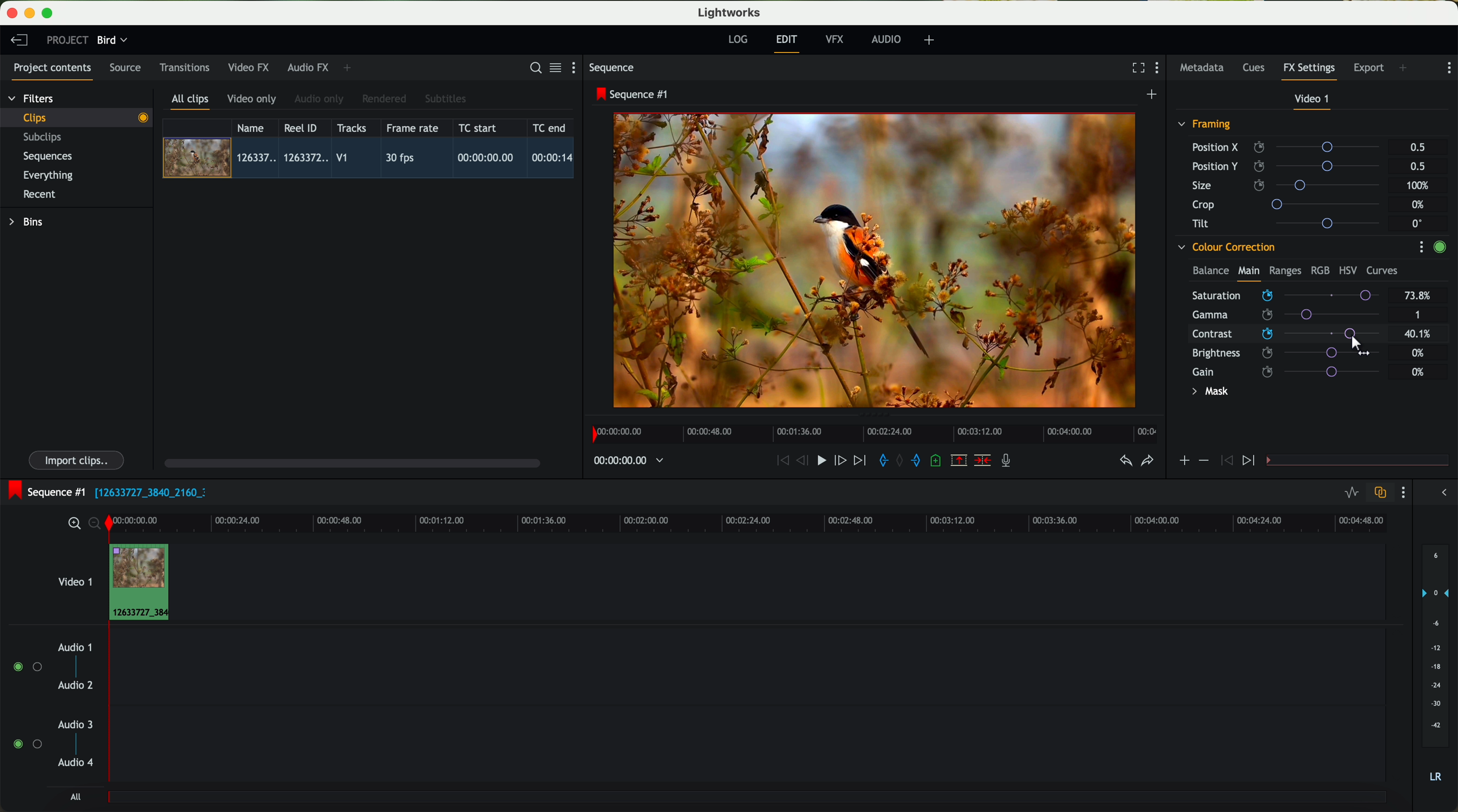 This screenshot has width=1458, height=812. What do you see at coordinates (75, 647) in the screenshot?
I see `audio 1` at bounding box center [75, 647].